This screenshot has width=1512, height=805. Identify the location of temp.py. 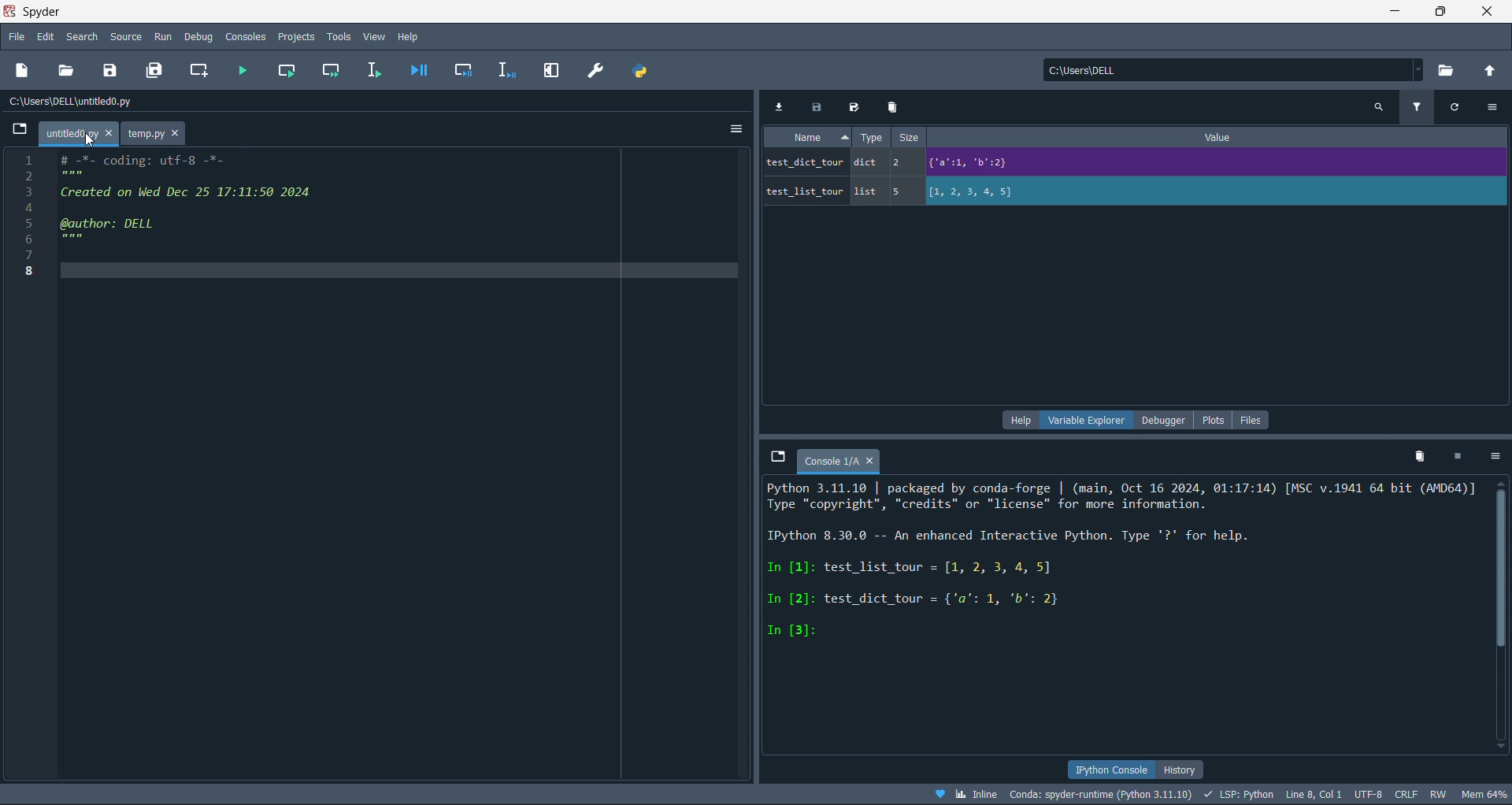
(158, 133).